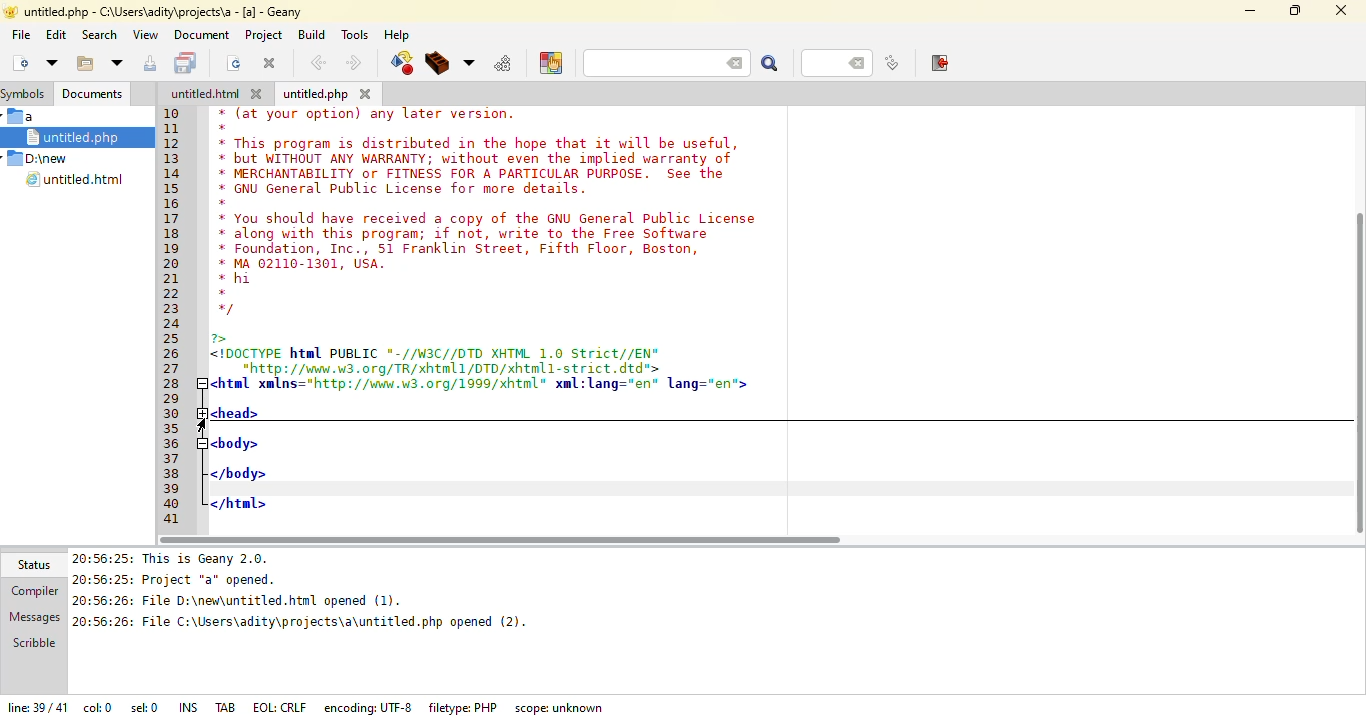  I want to click on ins, so click(186, 709).